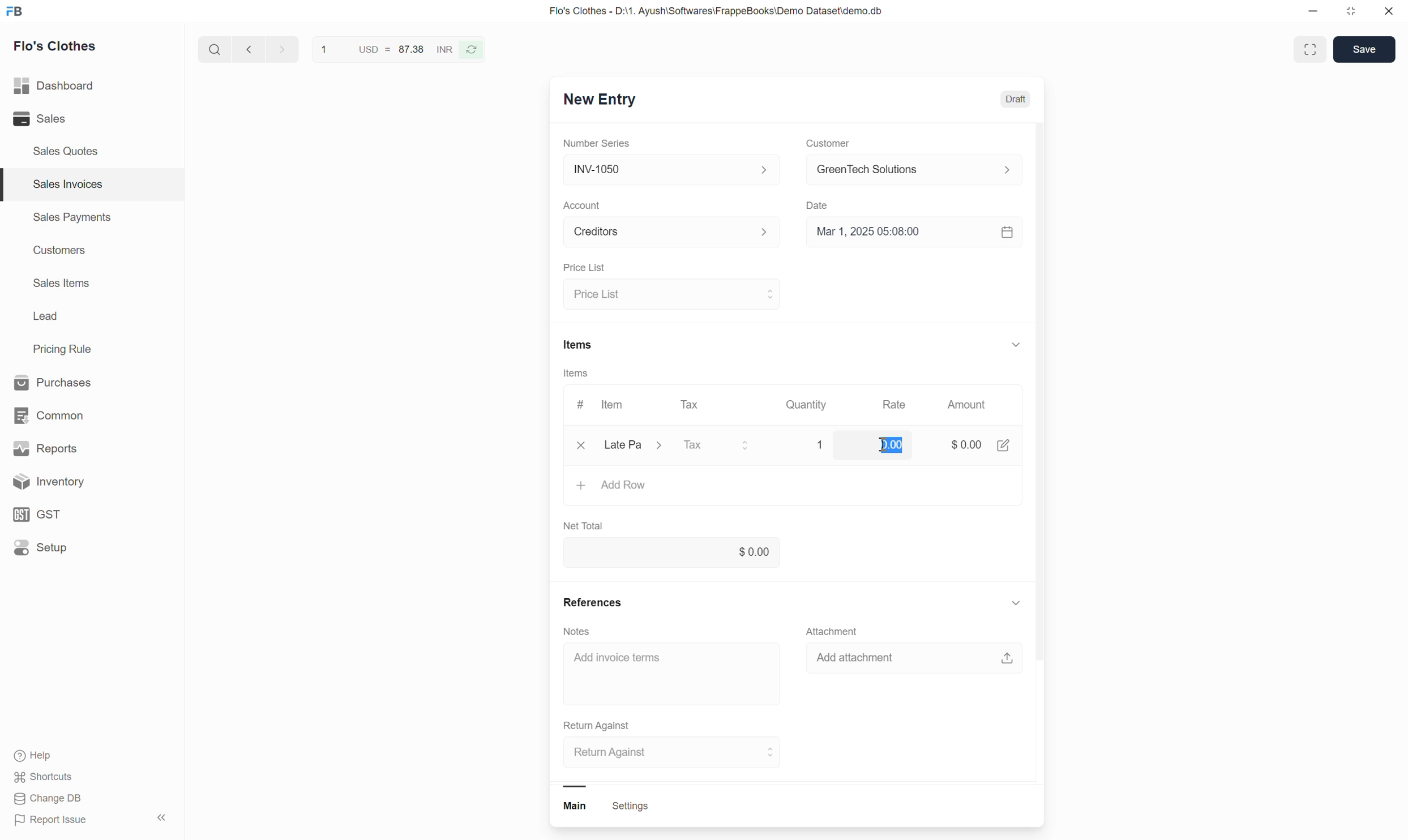 The height and width of the screenshot is (840, 1408). Describe the element at coordinates (66, 184) in the screenshot. I see `Sales Invoices` at that location.